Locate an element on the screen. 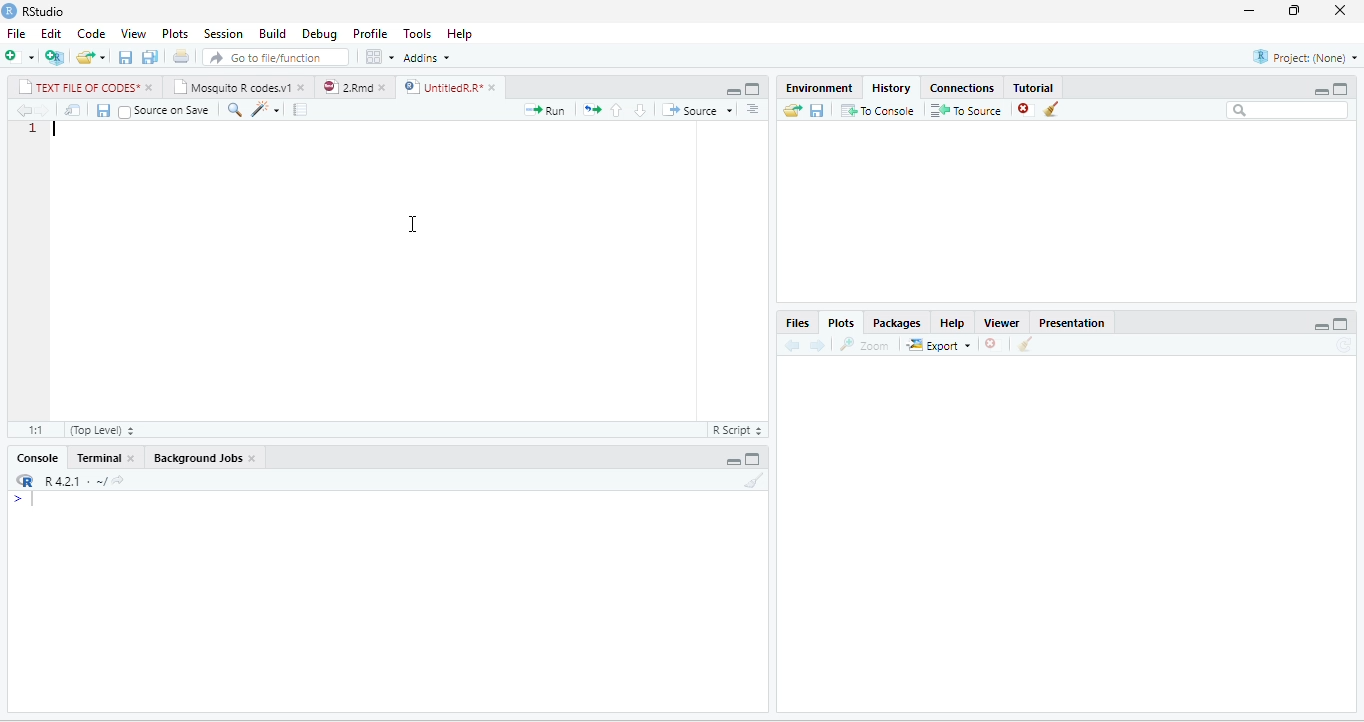  open file is located at coordinates (92, 57).